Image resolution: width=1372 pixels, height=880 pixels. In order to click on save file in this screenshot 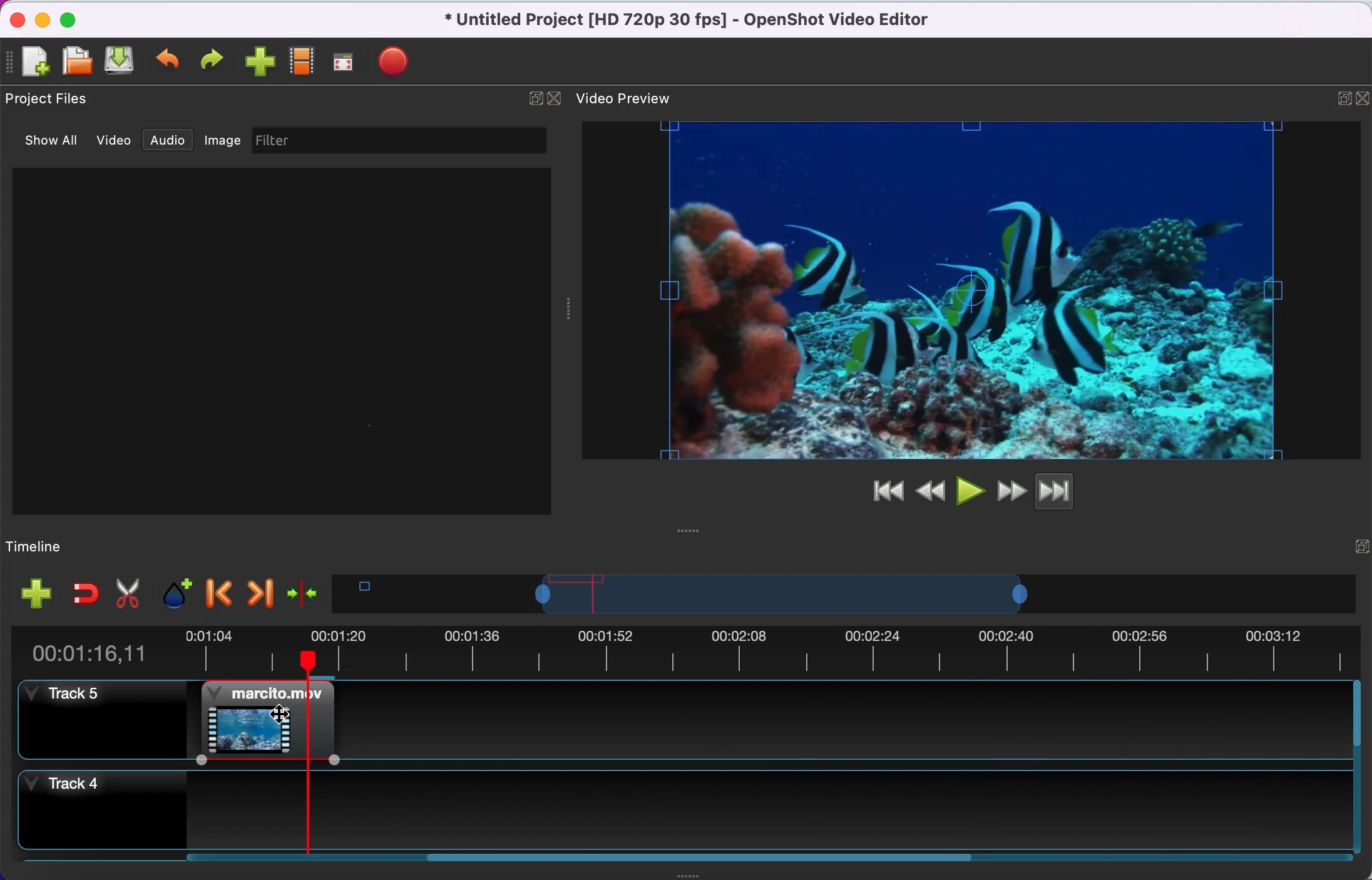, I will do `click(121, 63)`.